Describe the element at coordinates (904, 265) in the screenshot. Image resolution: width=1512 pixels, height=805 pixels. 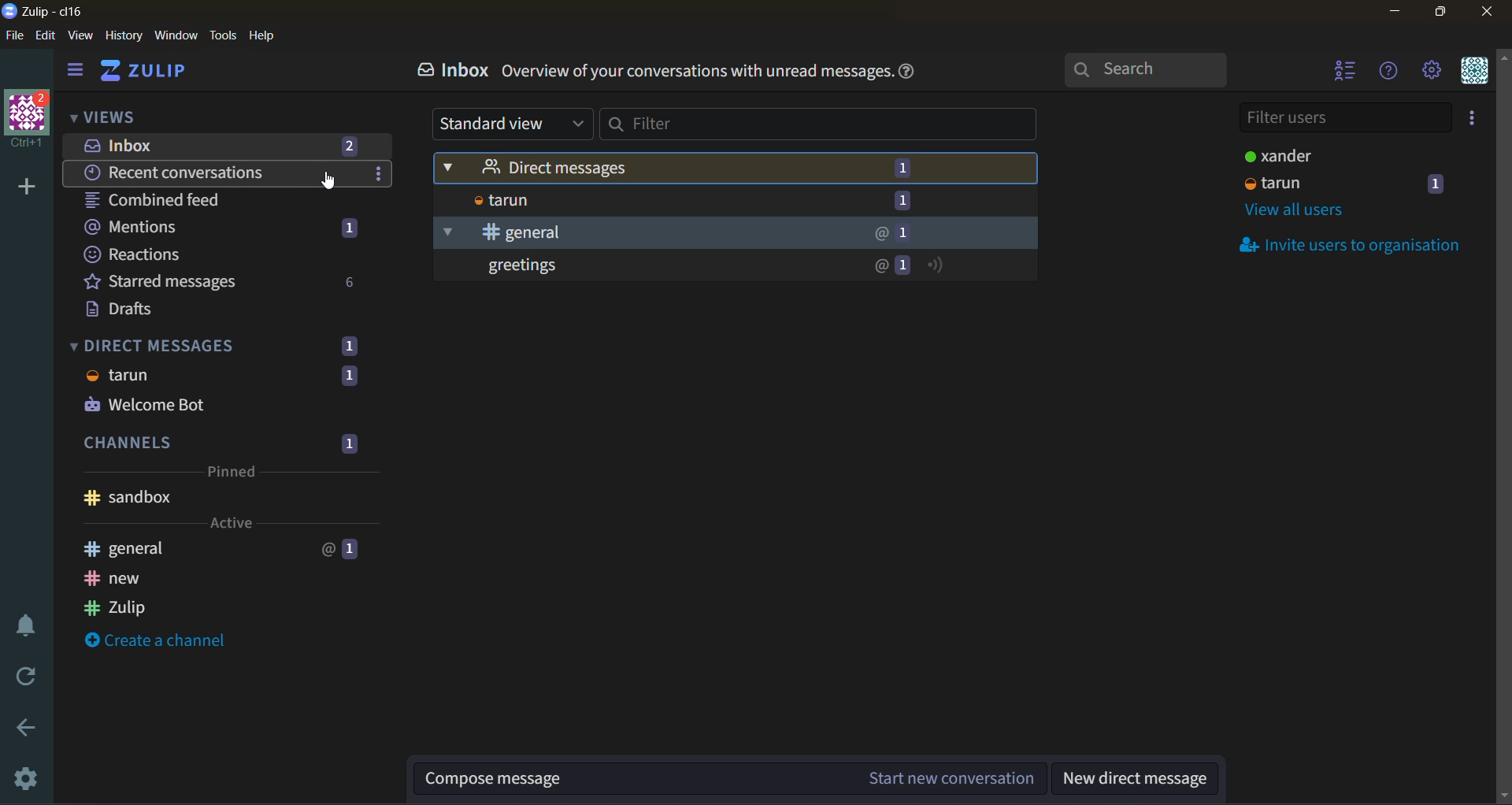
I see `1 message` at that location.